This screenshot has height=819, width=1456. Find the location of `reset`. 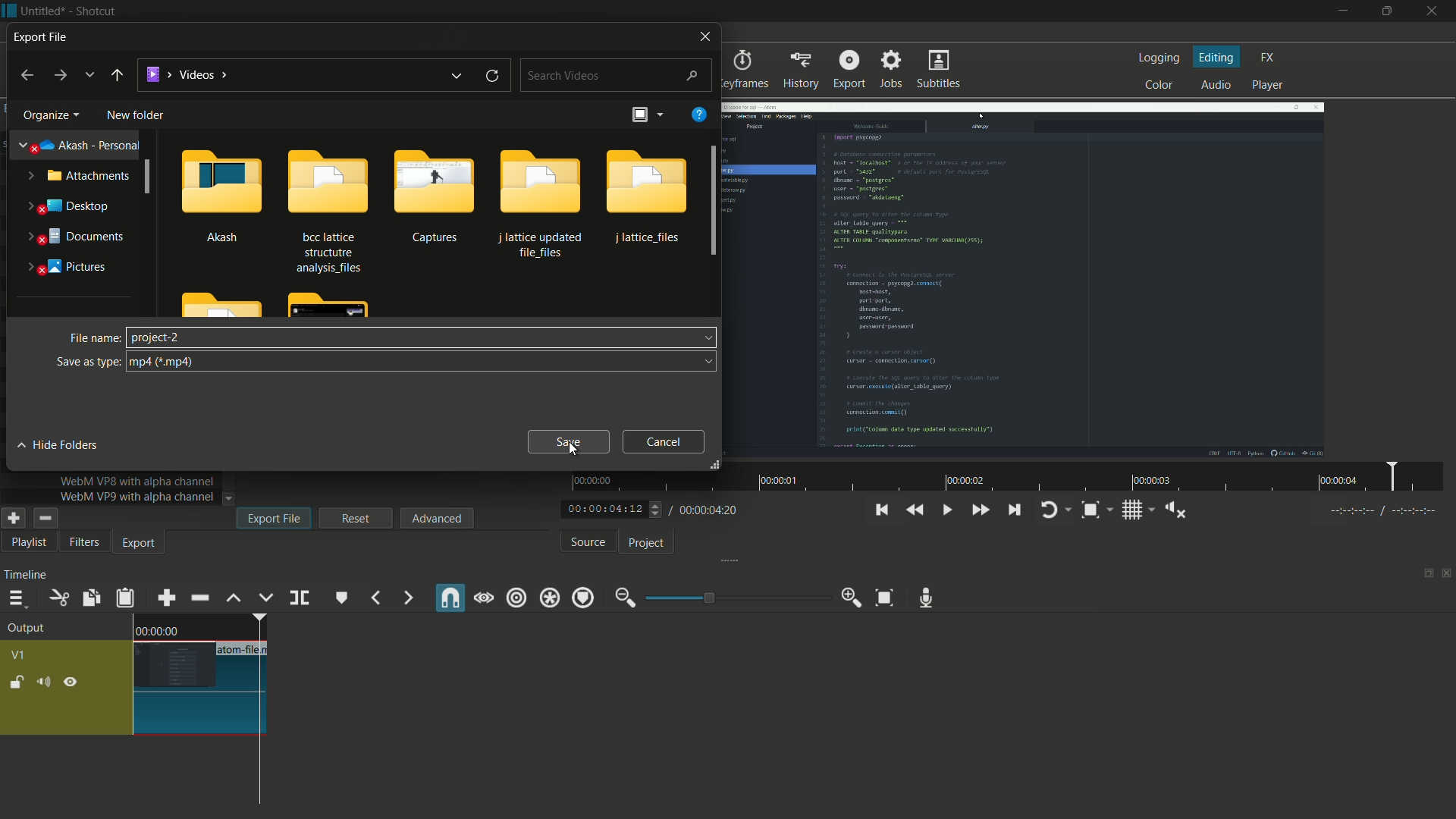

reset is located at coordinates (356, 517).